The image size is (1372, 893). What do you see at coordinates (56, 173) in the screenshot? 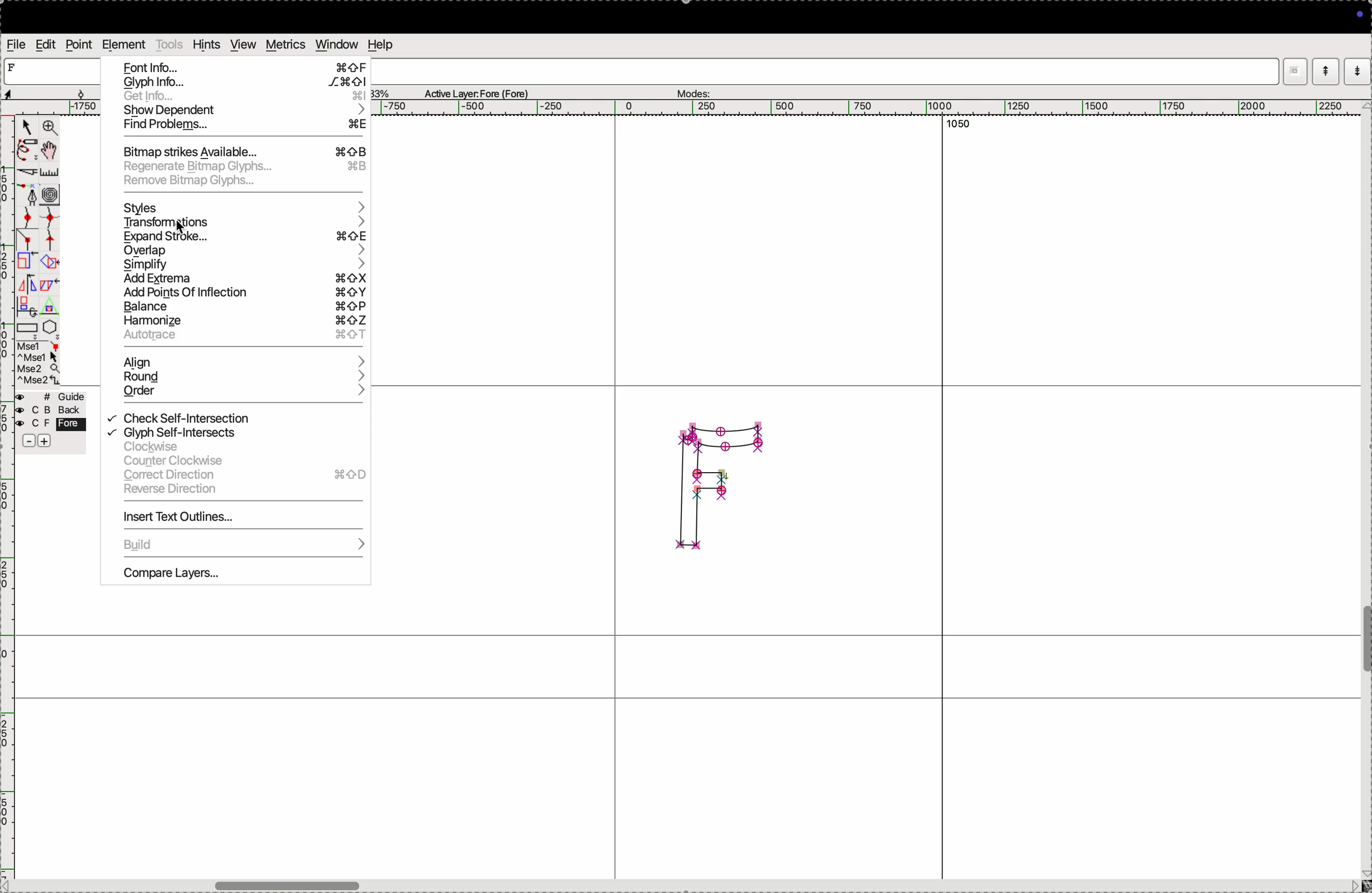
I see `ruler` at bounding box center [56, 173].